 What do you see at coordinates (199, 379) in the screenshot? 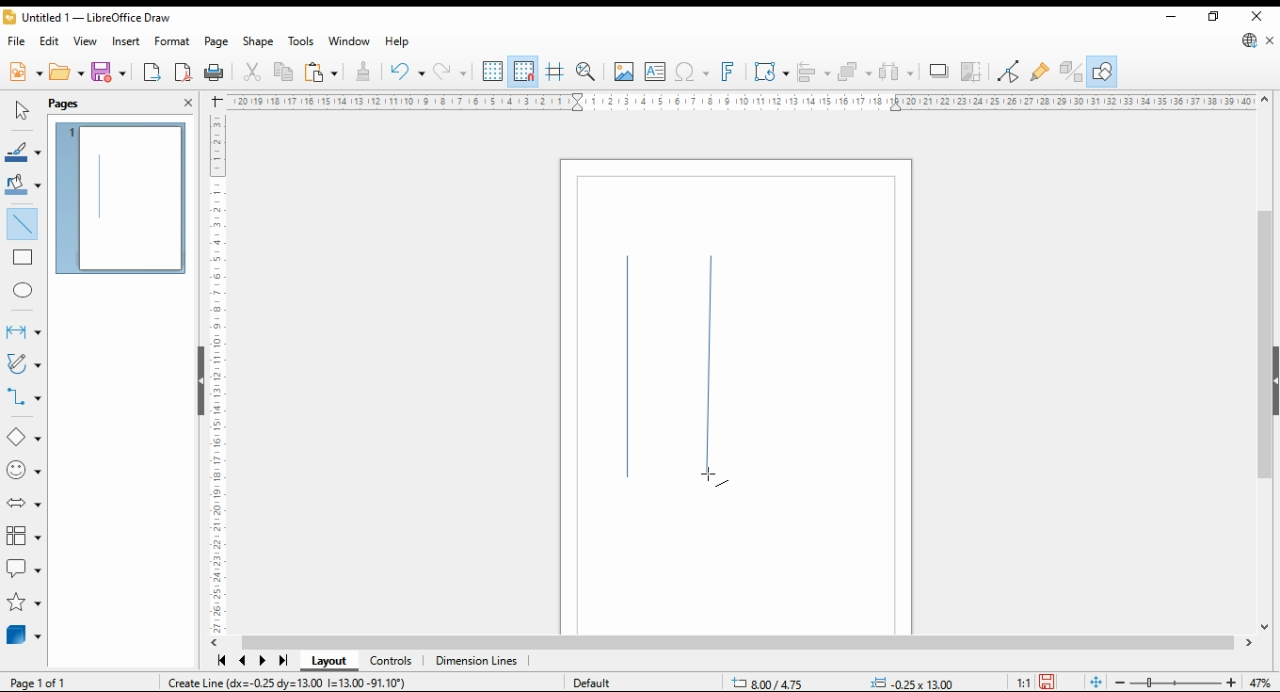
I see `collapse` at bounding box center [199, 379].